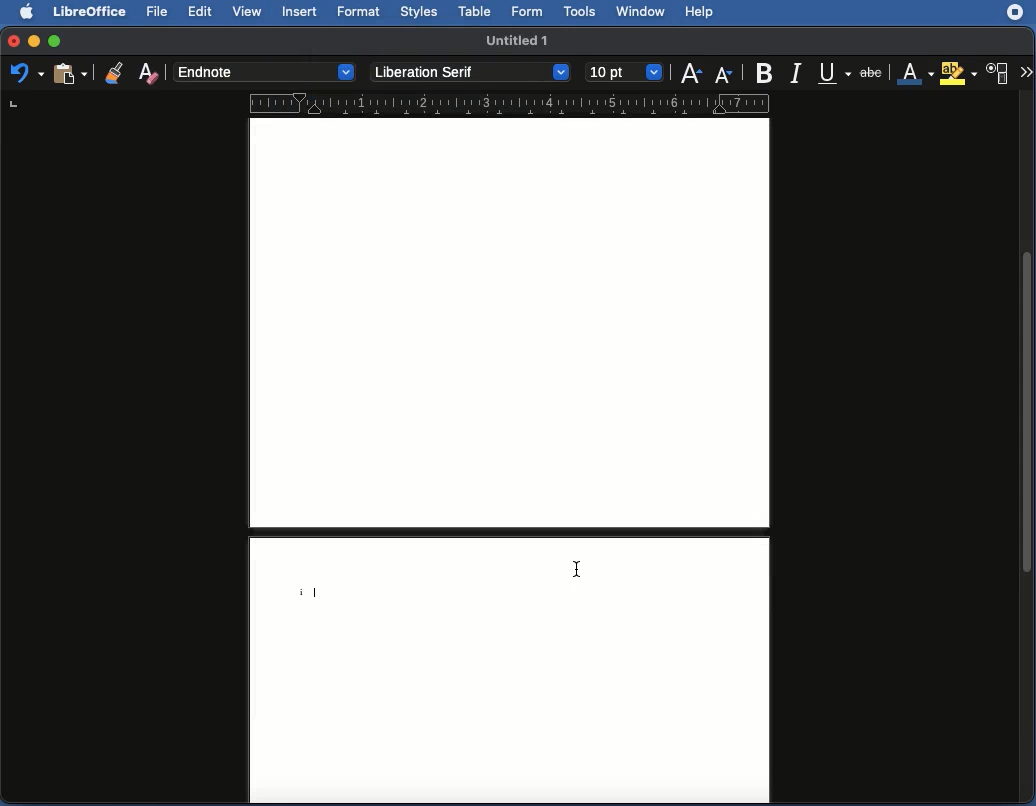  Describe the element at coordinates (957, 73) in the screenshot. I see `Highlighting color` at that location.